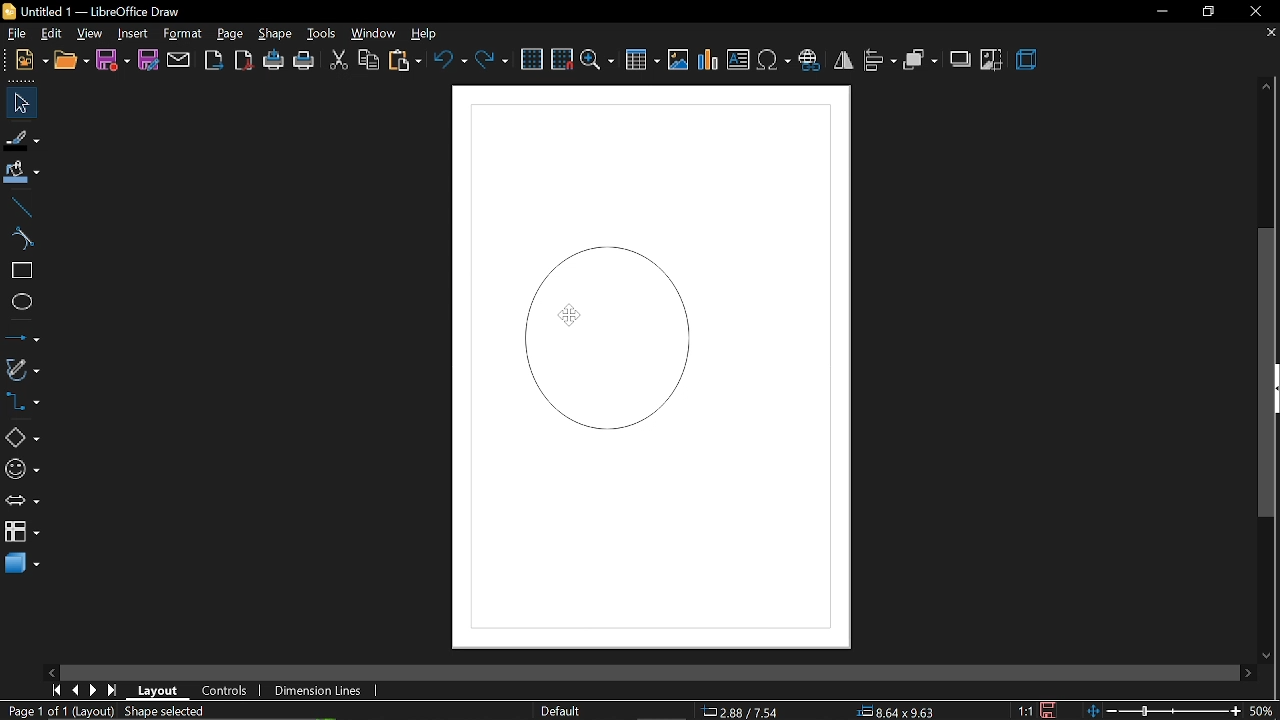  Describe the element at coordinates (903, 713) in the screenshot. I see `8.64x9.63` at that location.